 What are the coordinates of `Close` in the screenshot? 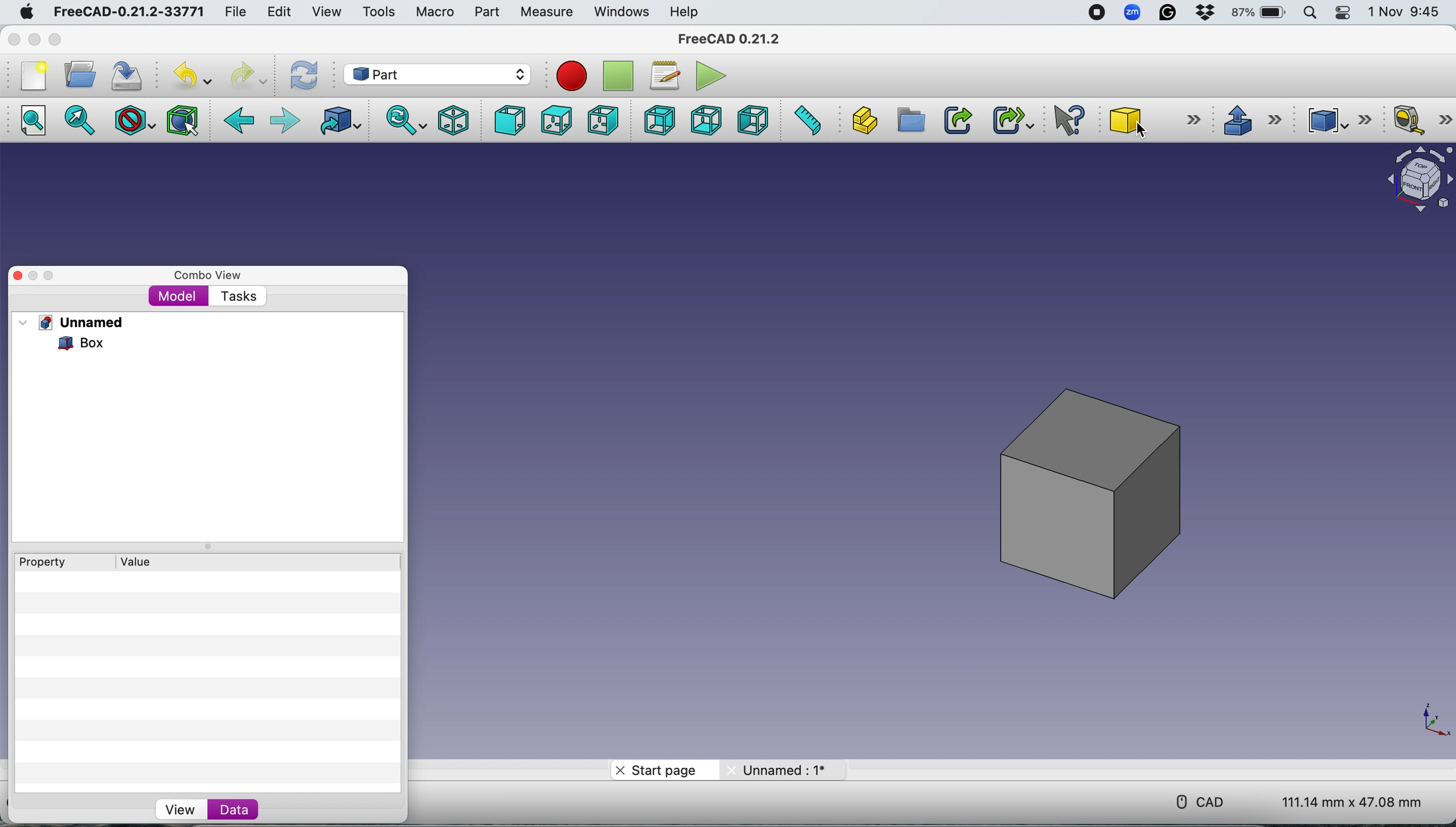 It's located at (18, 276).